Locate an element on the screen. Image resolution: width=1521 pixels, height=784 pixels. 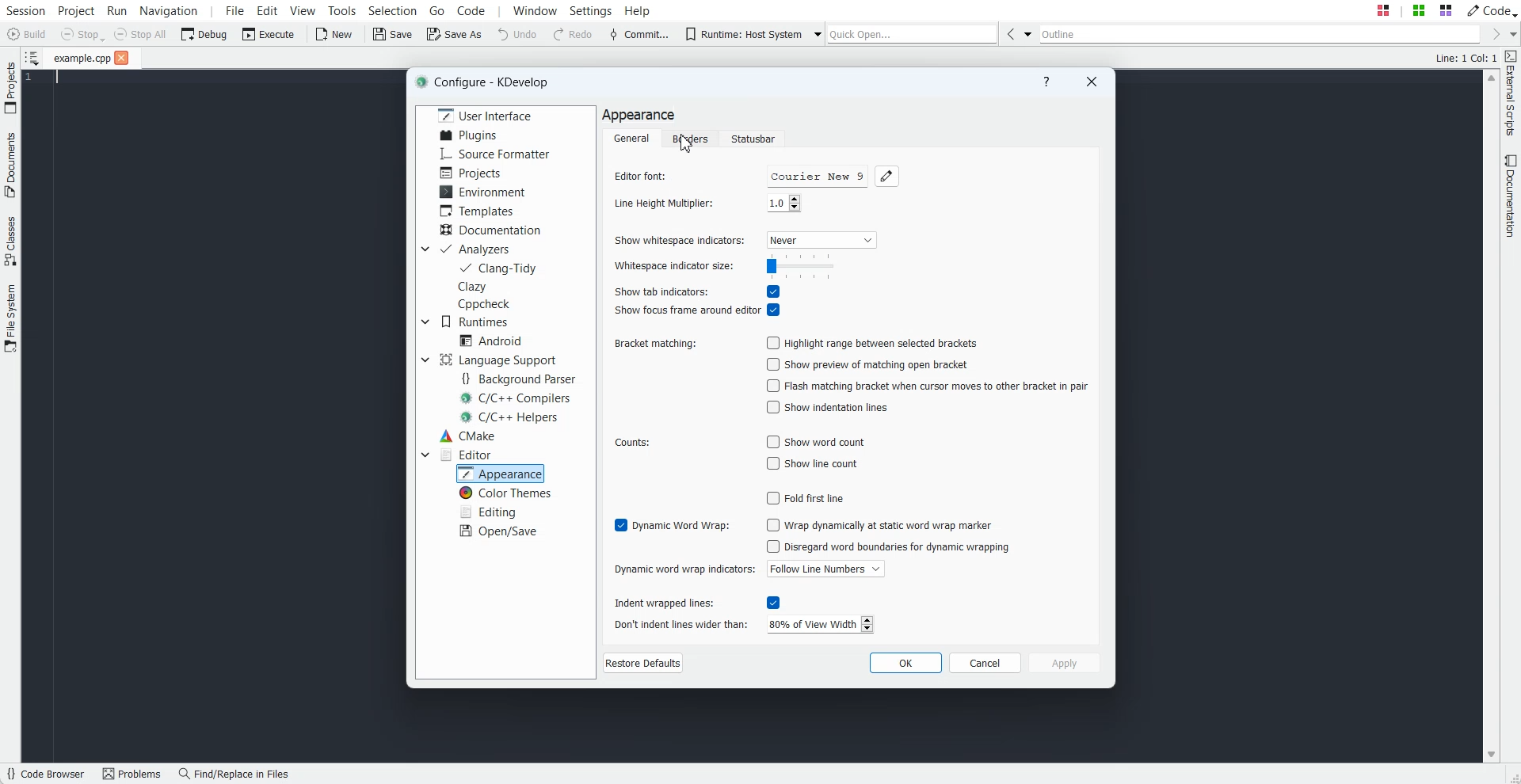
New is located at coordinates (337, 34).